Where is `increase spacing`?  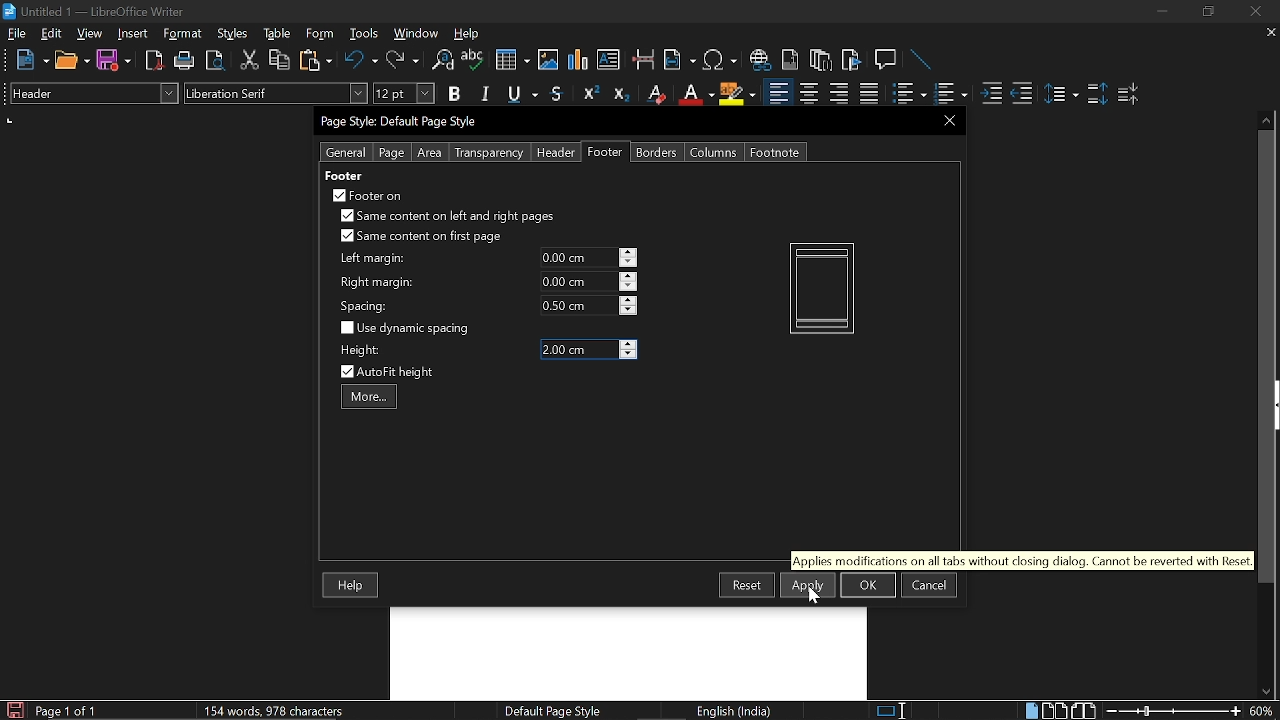
increase spacing is located at coordinates (629, 299).